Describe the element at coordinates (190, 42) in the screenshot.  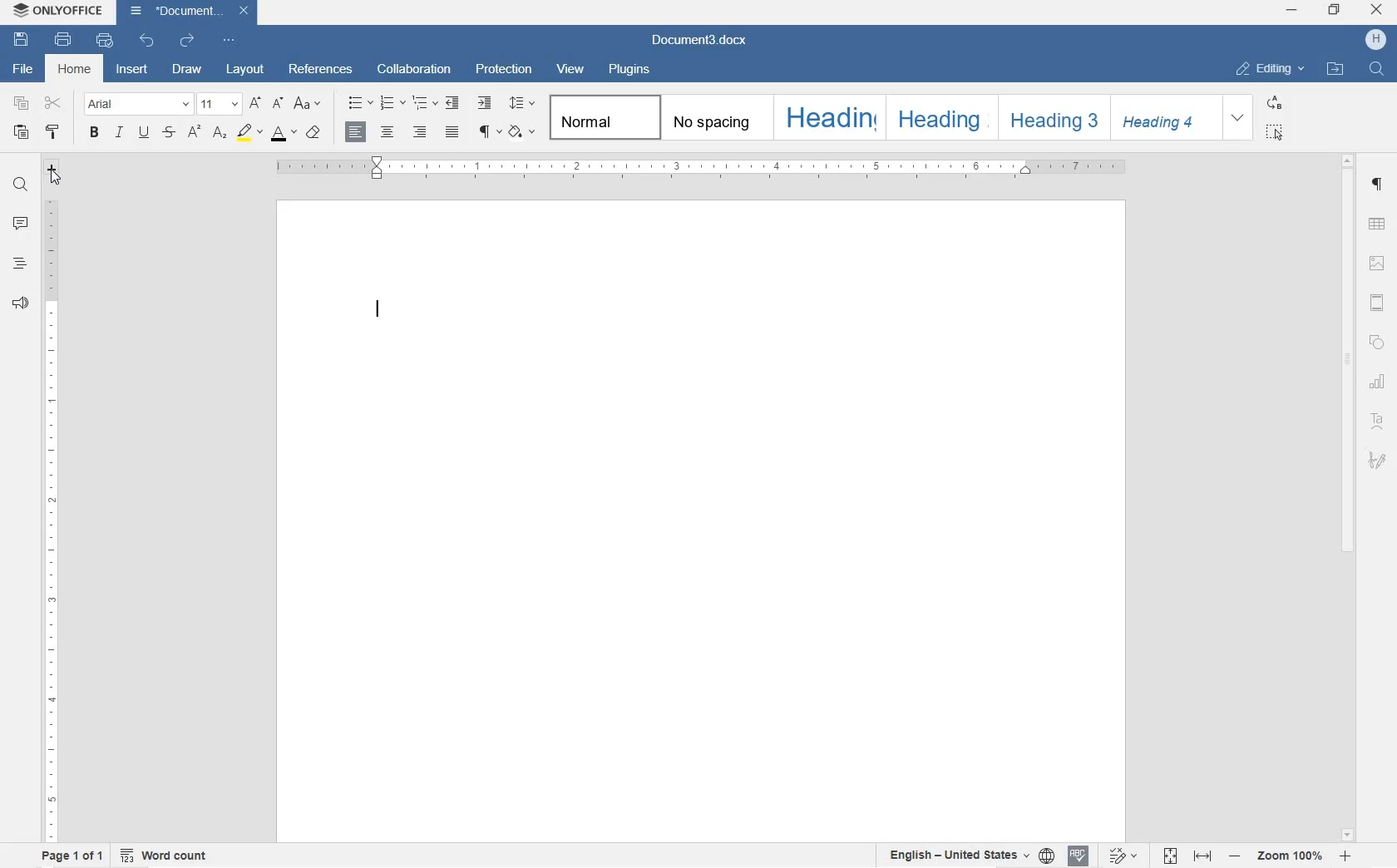
I see `REDO` at that location.